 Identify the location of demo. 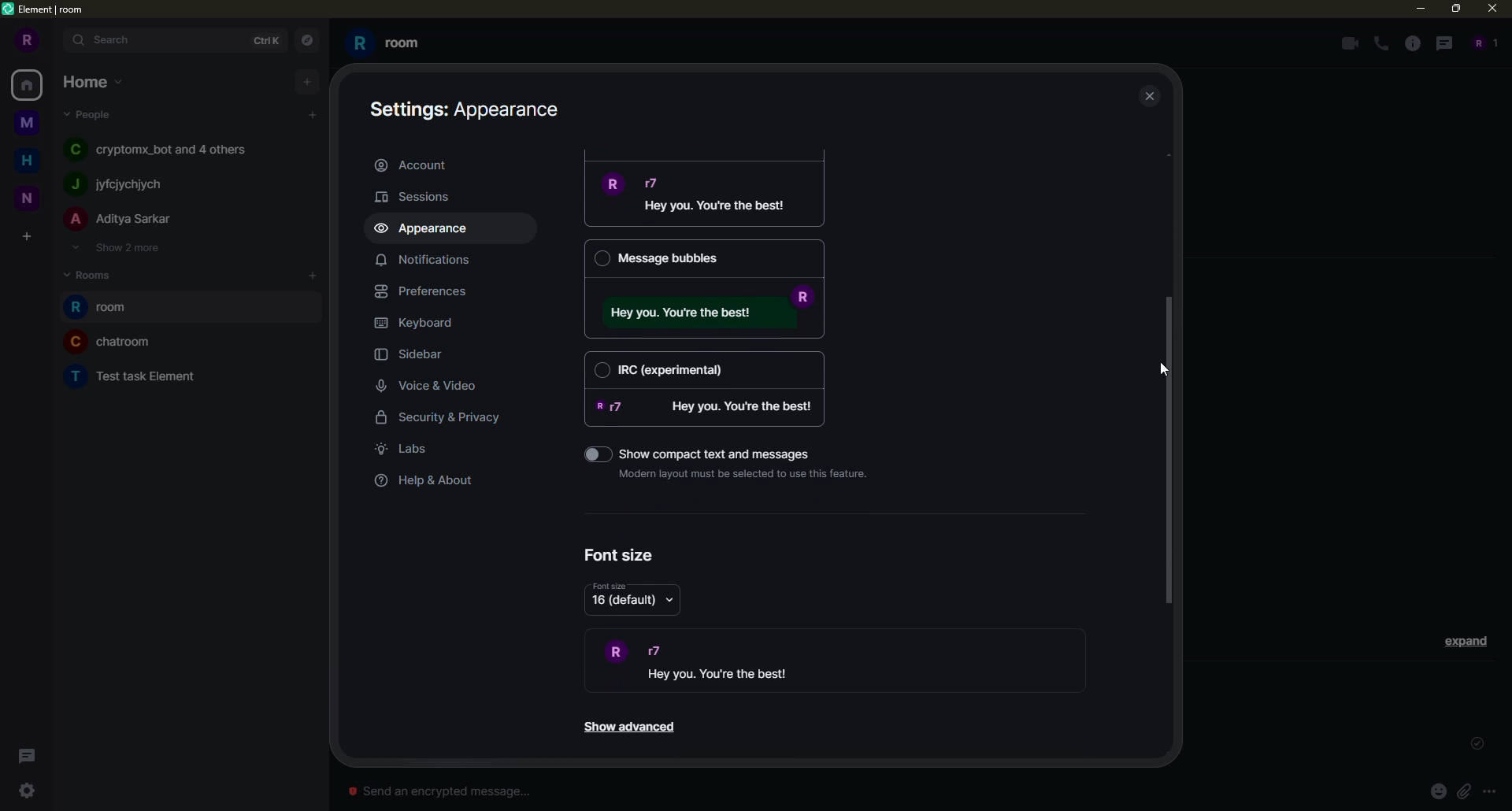
(735, 659).